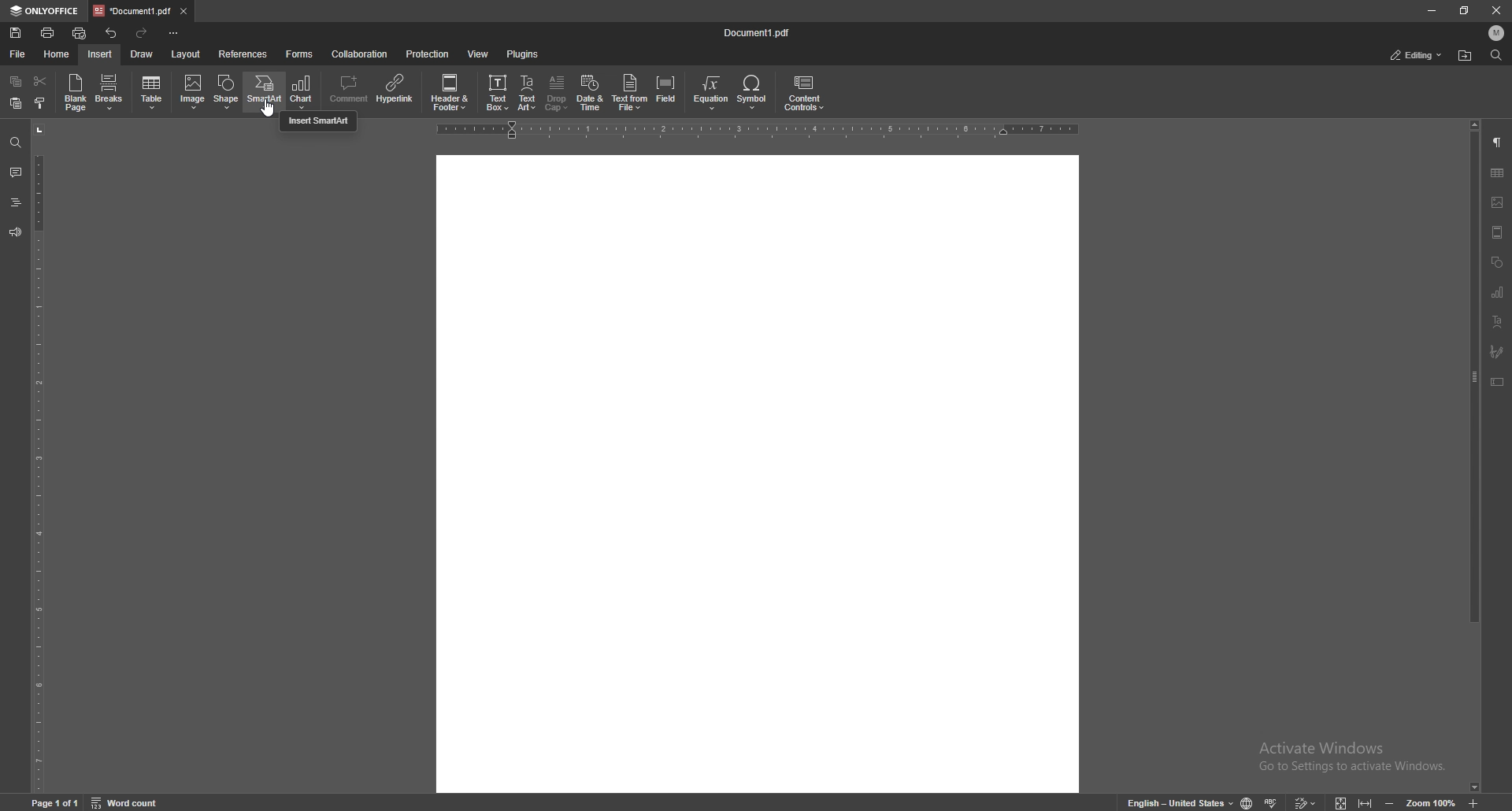  What do you see at coordinates (754, 92) in the screenshot?
I see `symbol` at bounding box center [754, 92].